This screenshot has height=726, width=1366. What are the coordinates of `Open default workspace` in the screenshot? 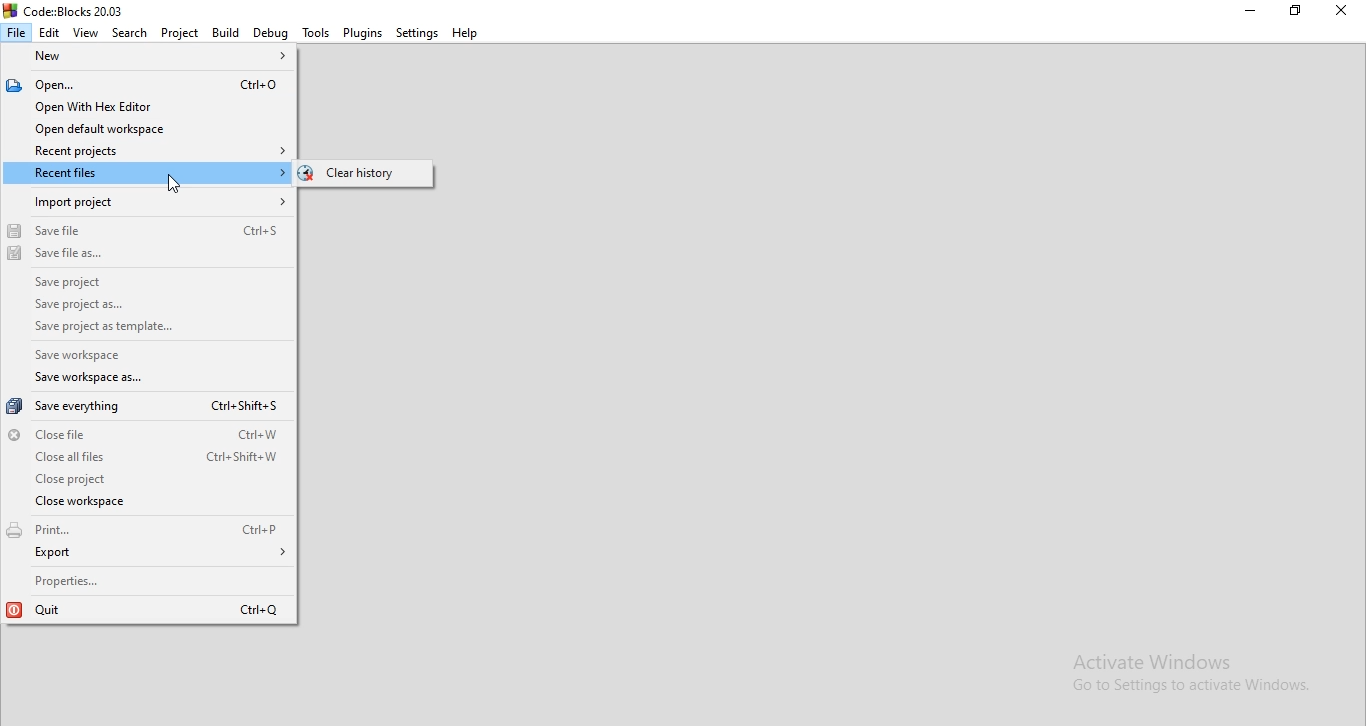 It's located at (144, 129).